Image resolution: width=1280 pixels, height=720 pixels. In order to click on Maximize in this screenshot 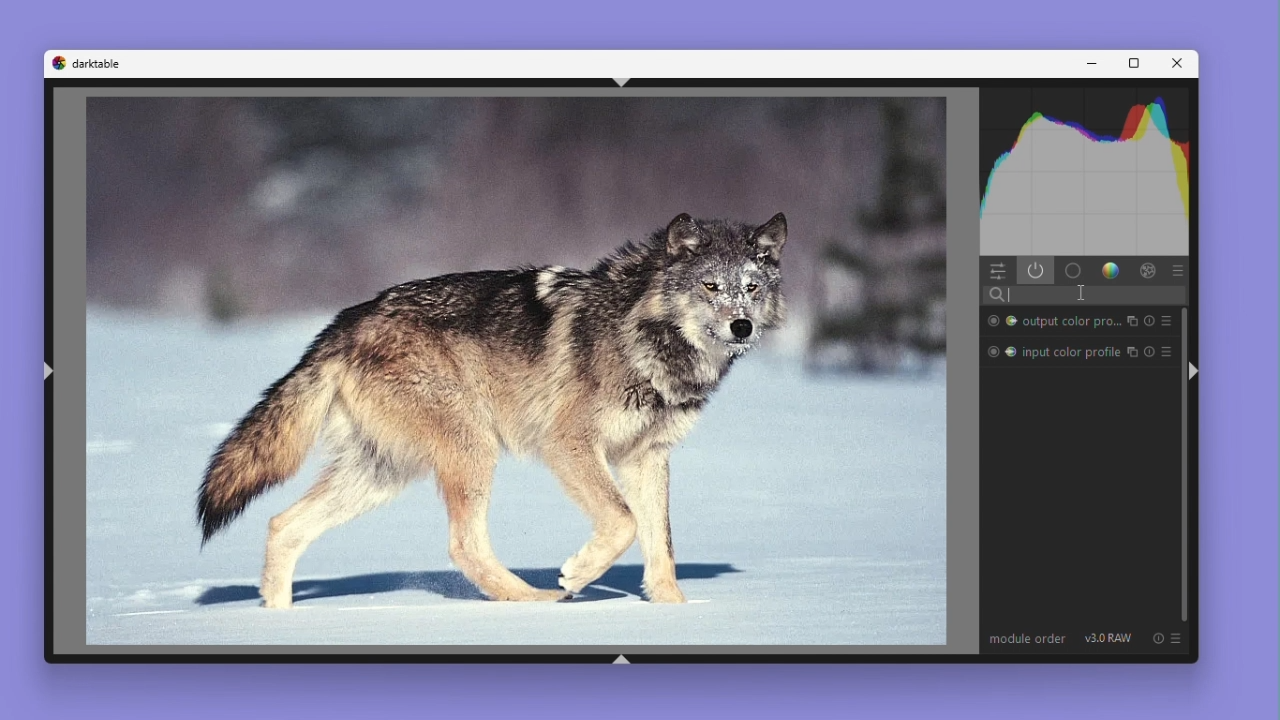, I will do `click(1130, 64)`.